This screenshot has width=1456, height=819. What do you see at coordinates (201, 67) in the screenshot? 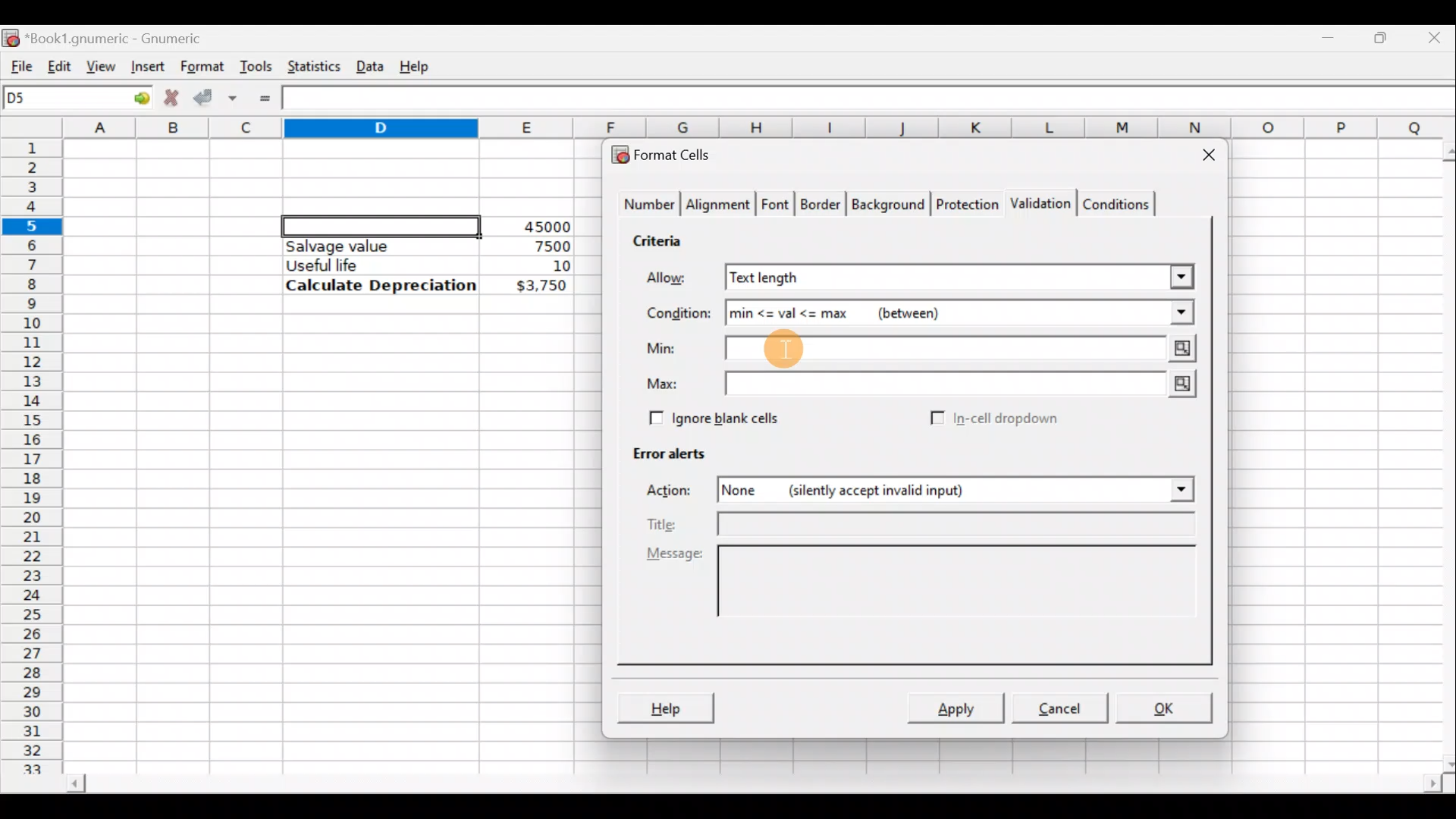
I see `Format` at bounding box center [201, 67].